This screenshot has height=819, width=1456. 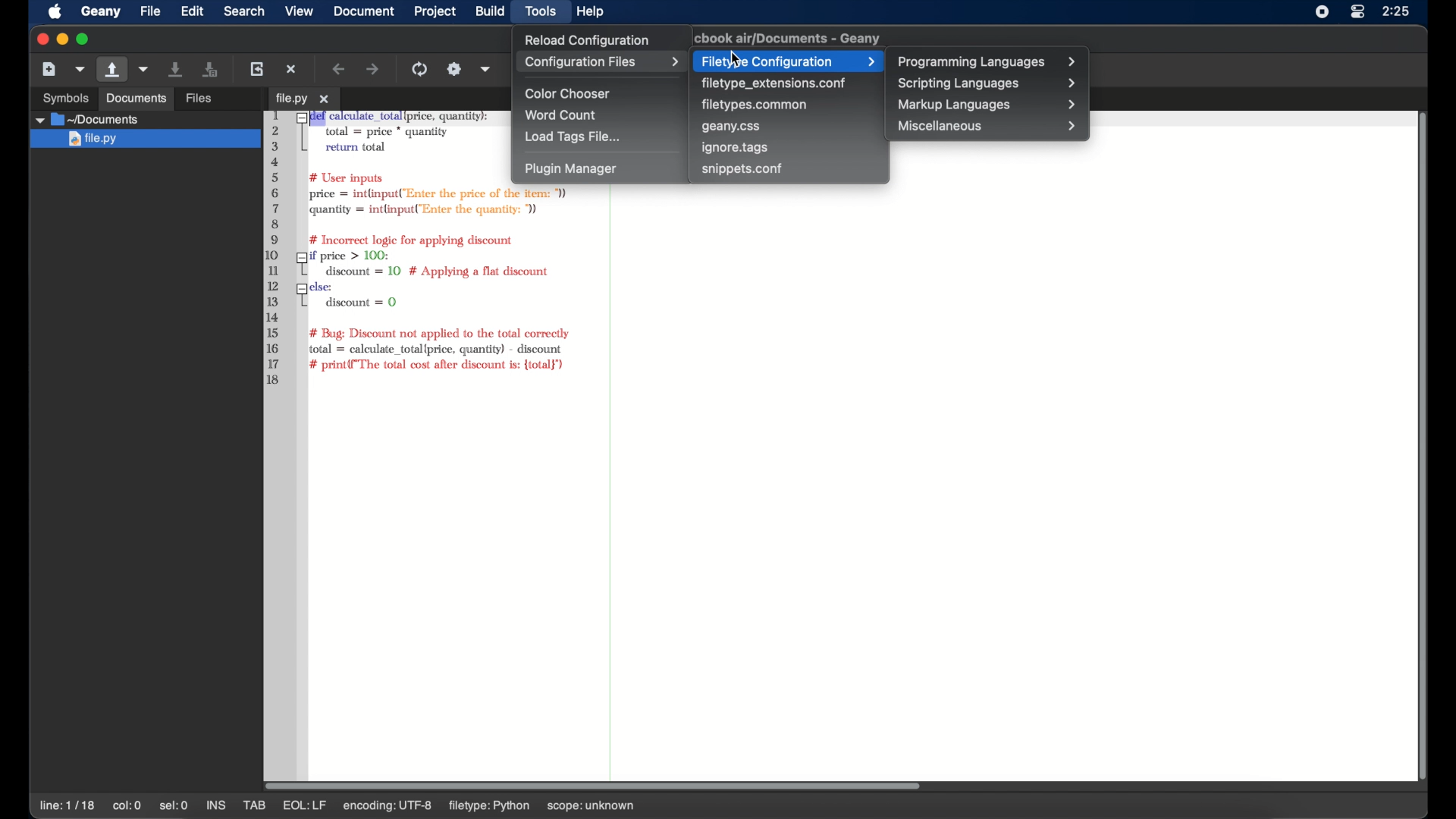 I want to click on close, so click(x=40, y=39).